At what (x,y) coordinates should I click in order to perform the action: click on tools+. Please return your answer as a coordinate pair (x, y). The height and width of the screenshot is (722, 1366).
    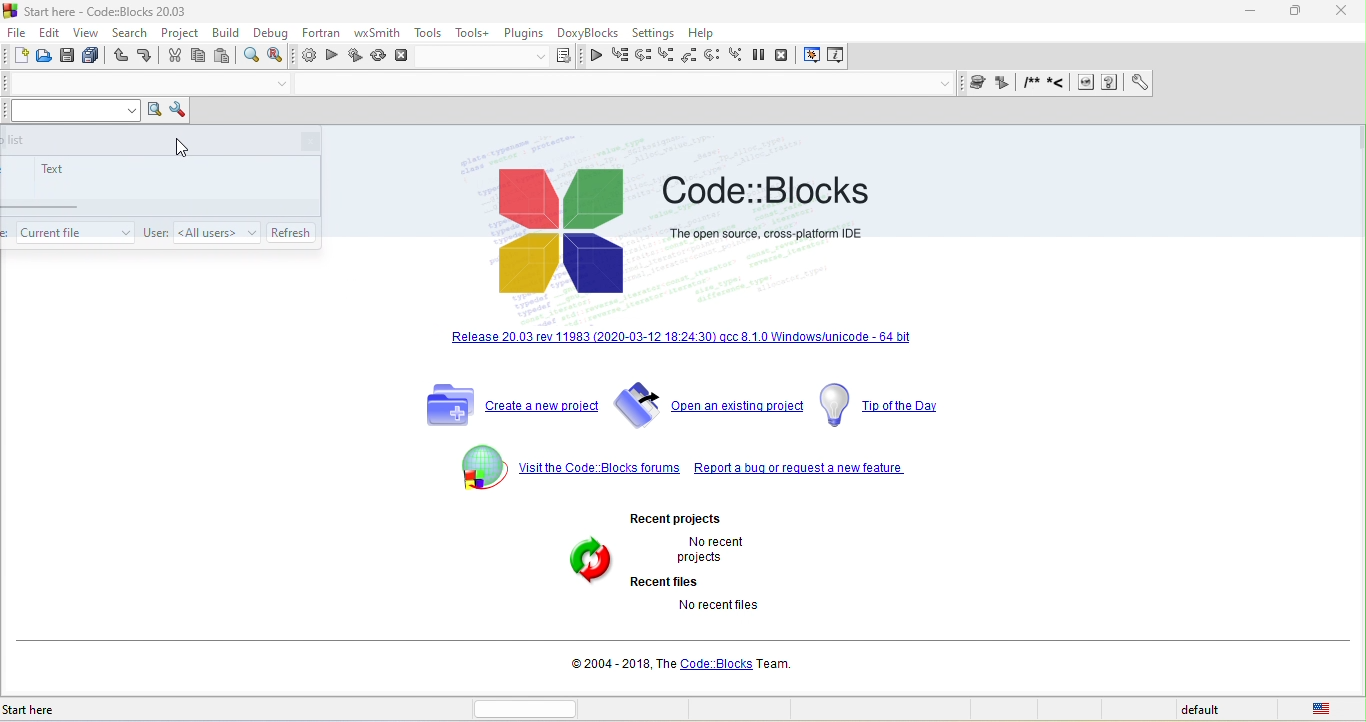
    Looking at the image, I should click on (473, 34).